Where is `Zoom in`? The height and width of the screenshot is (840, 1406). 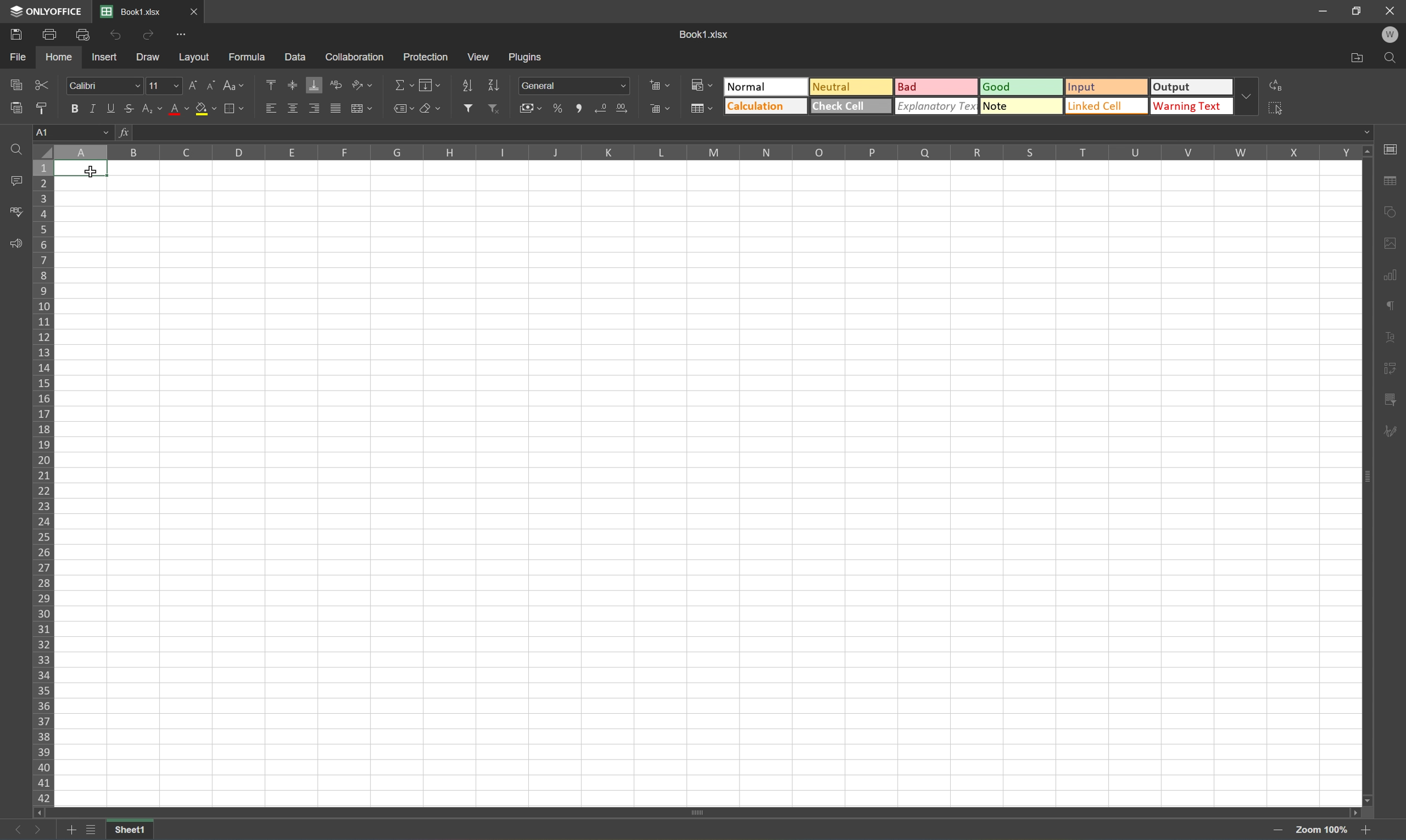 Zoom in is located at coordinates (1280, 830).